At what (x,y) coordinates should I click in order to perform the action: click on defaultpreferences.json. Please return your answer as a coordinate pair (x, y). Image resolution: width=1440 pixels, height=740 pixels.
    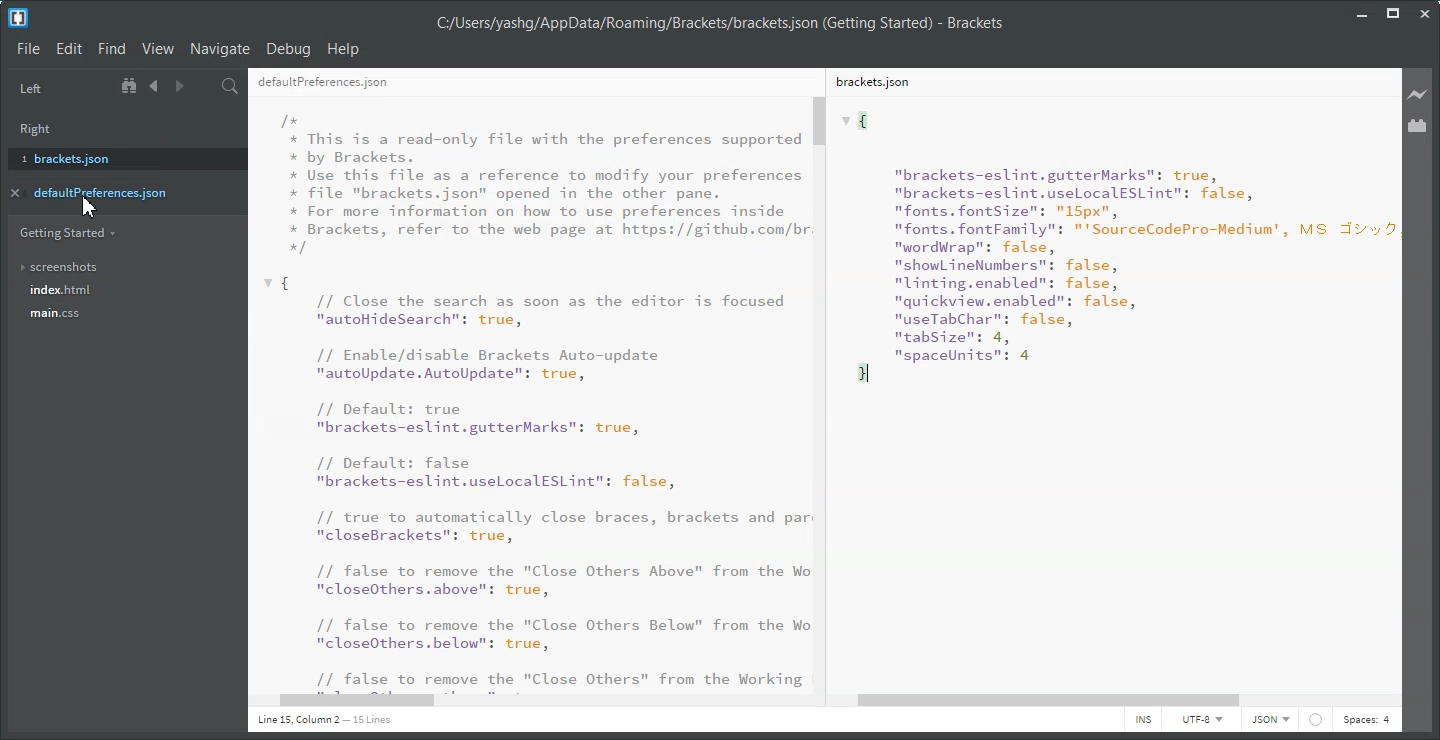
    Looking at the image, I should click on (114, 192).